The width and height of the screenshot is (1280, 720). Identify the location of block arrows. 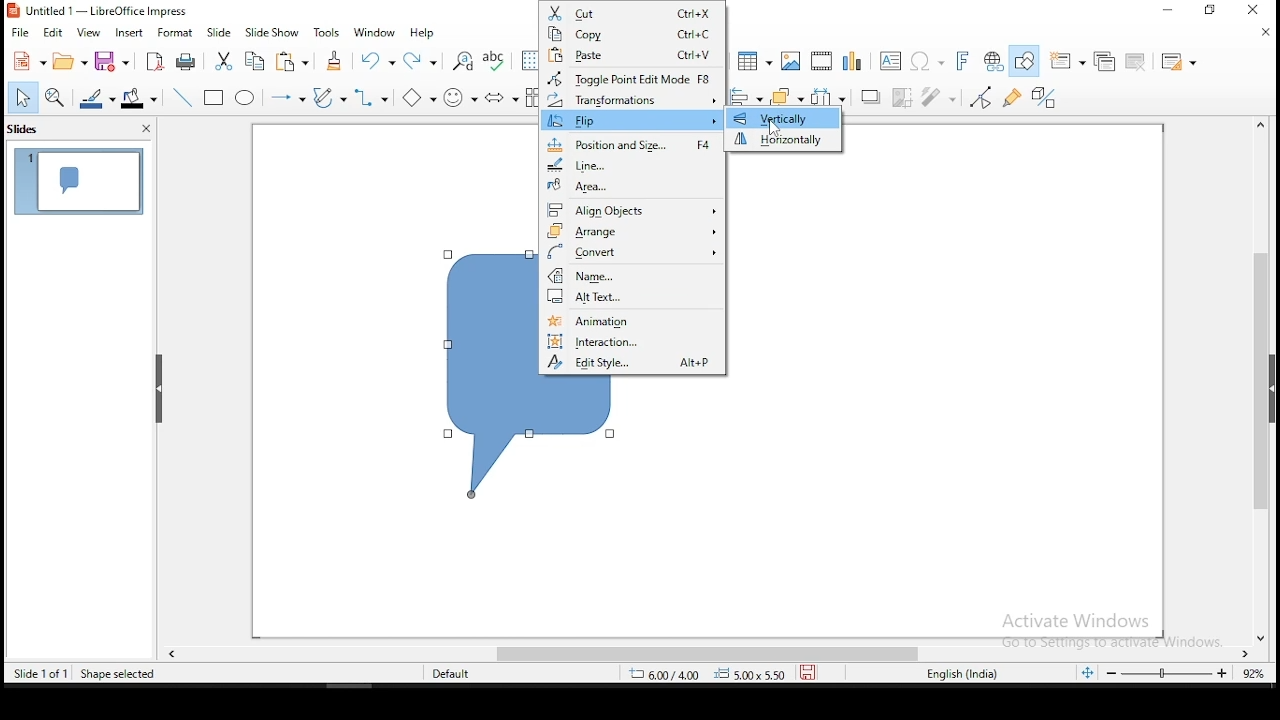
(504, 98).